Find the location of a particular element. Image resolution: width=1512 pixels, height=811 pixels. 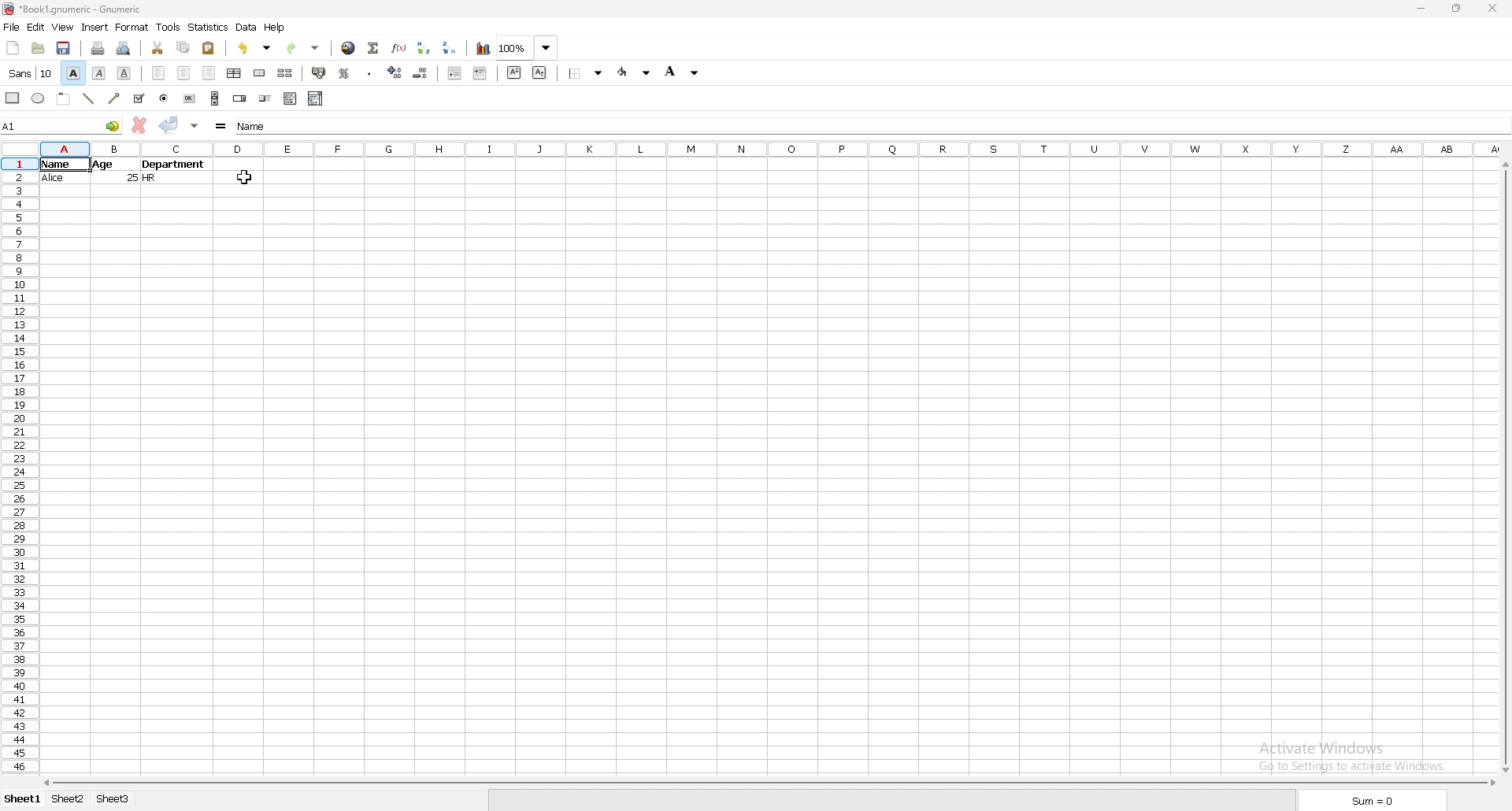

accept changes in all cells is located at coordinates (194, 126).